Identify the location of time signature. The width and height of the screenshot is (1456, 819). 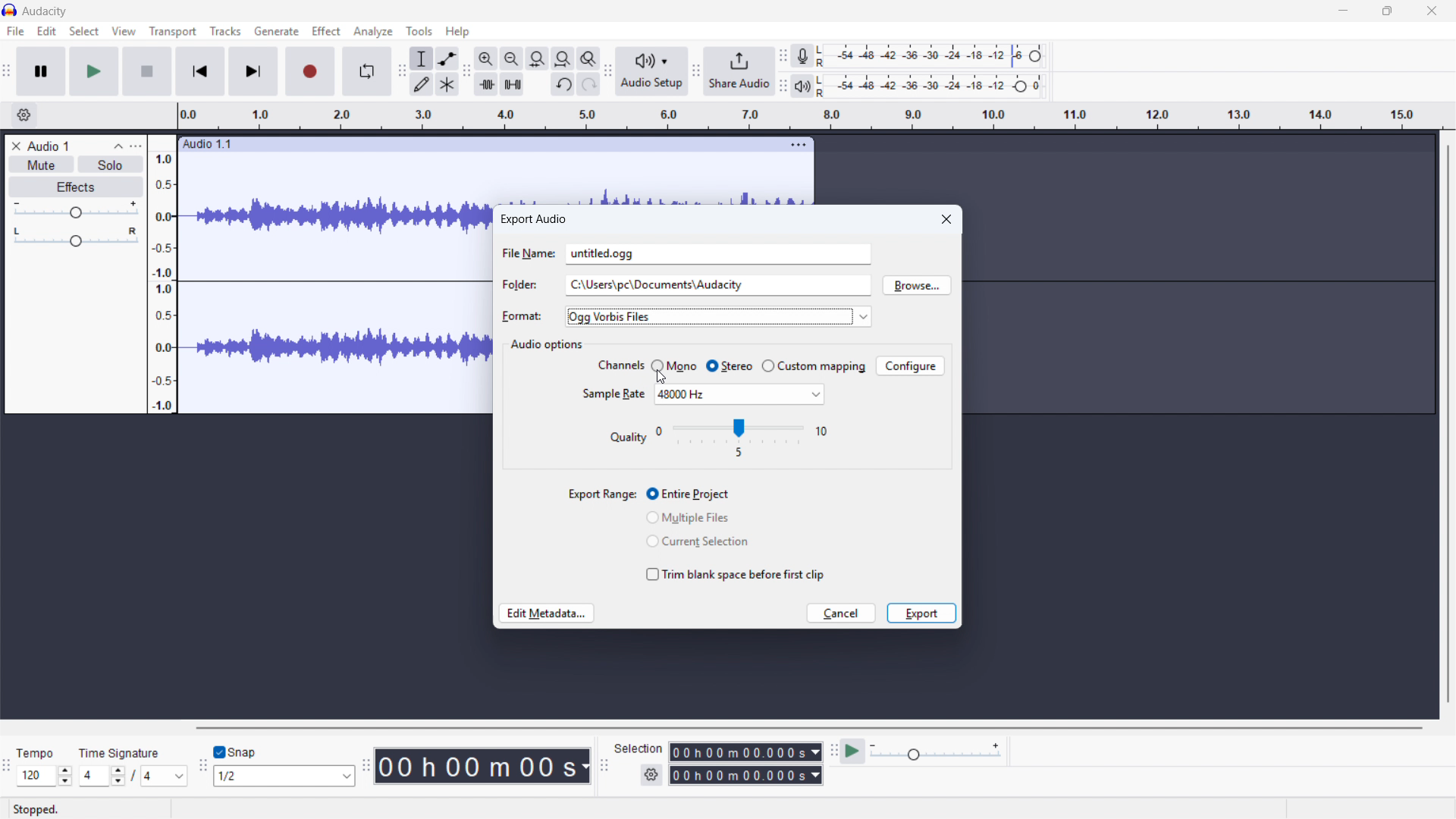
(120, 754).